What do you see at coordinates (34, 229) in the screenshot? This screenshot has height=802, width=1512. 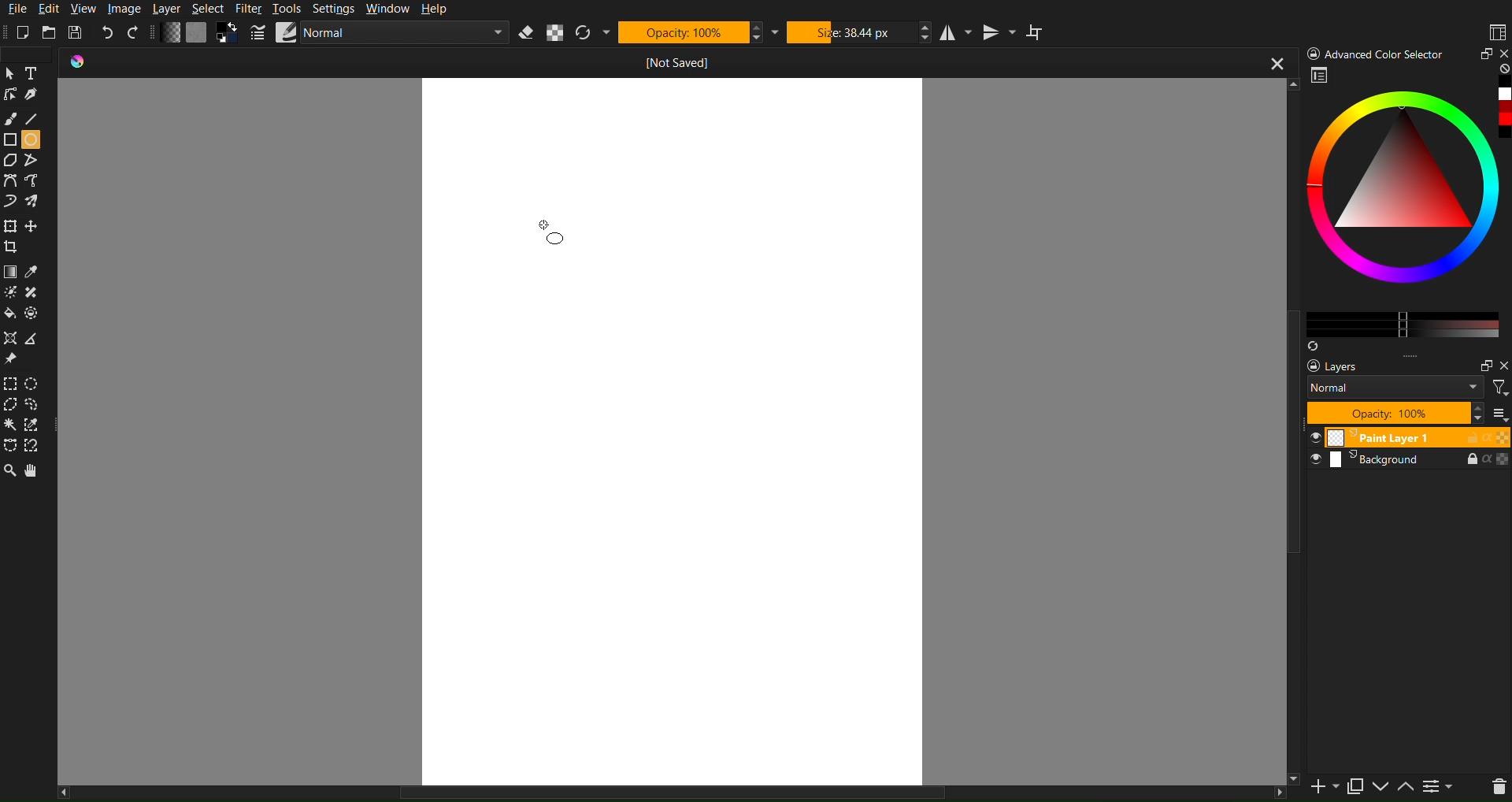 I see `free crop` at bounding box center [34, 229].